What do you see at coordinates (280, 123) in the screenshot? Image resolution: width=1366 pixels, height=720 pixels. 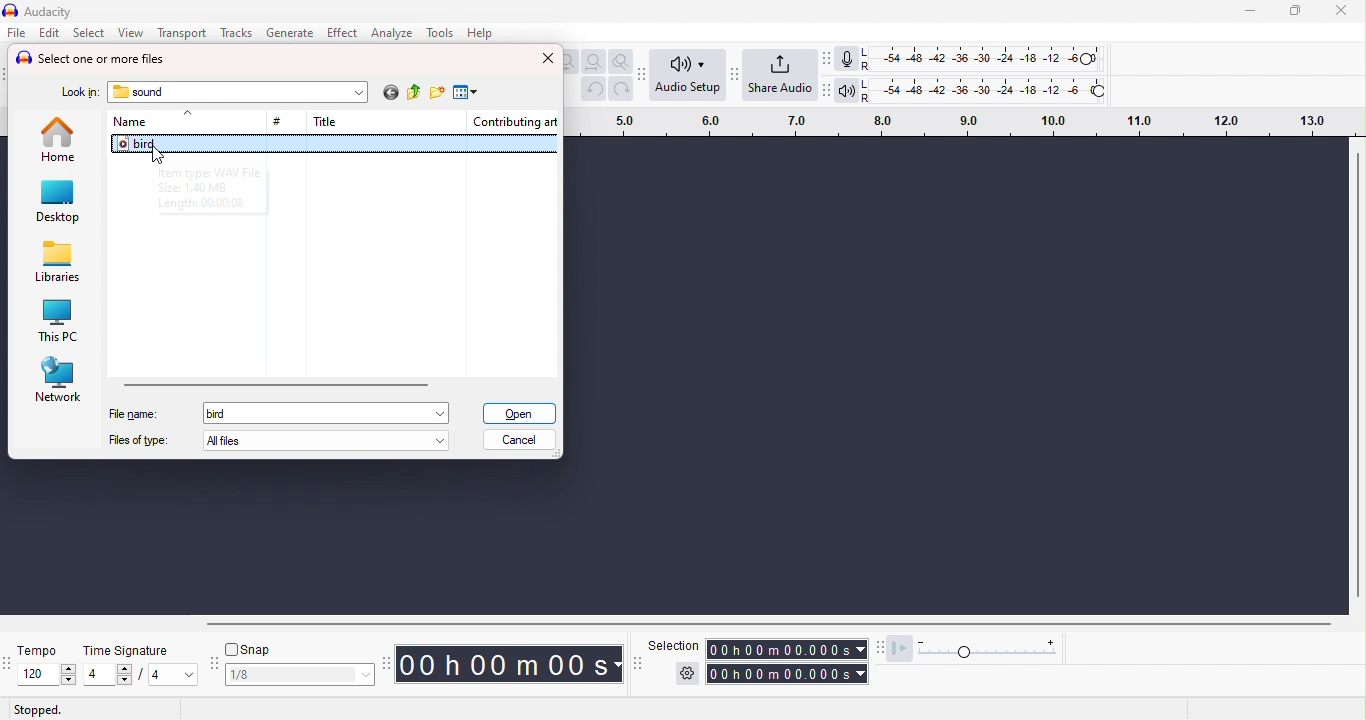 I see `#` at bounding box center [280, 123].